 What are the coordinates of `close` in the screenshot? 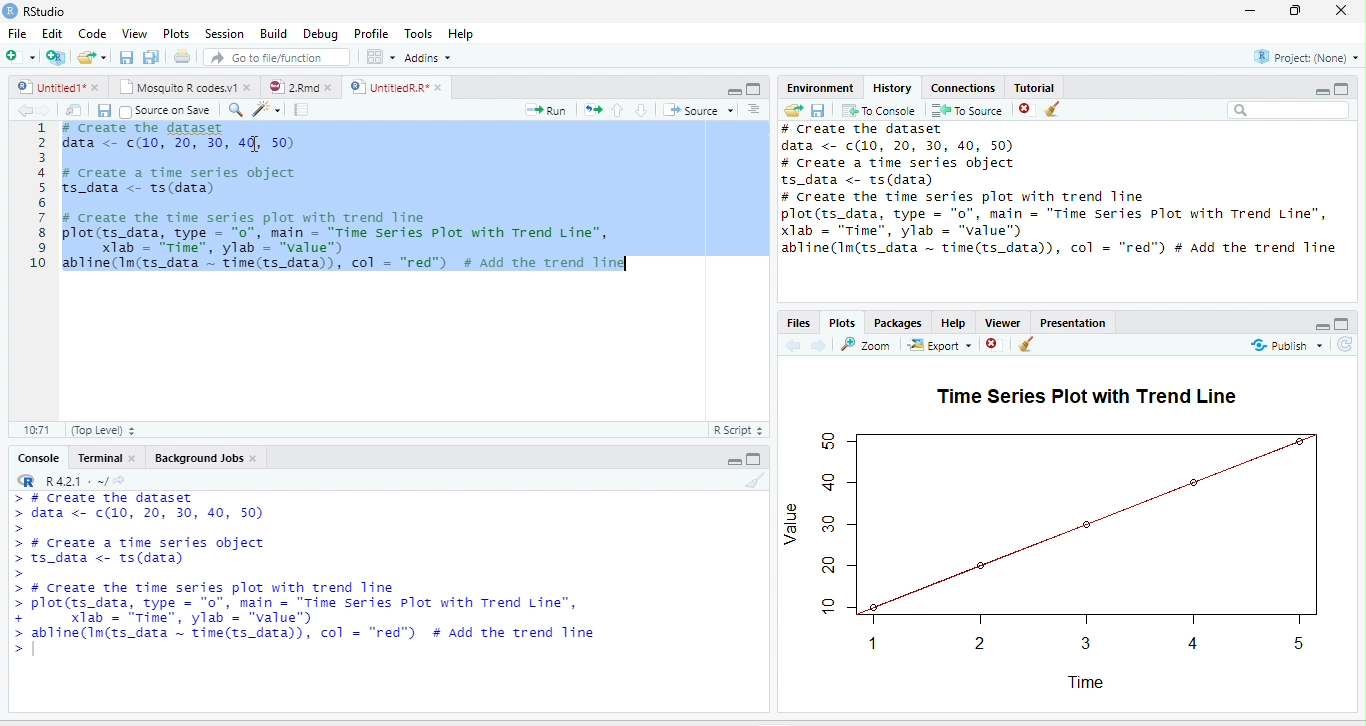 It's located at (438, 87).